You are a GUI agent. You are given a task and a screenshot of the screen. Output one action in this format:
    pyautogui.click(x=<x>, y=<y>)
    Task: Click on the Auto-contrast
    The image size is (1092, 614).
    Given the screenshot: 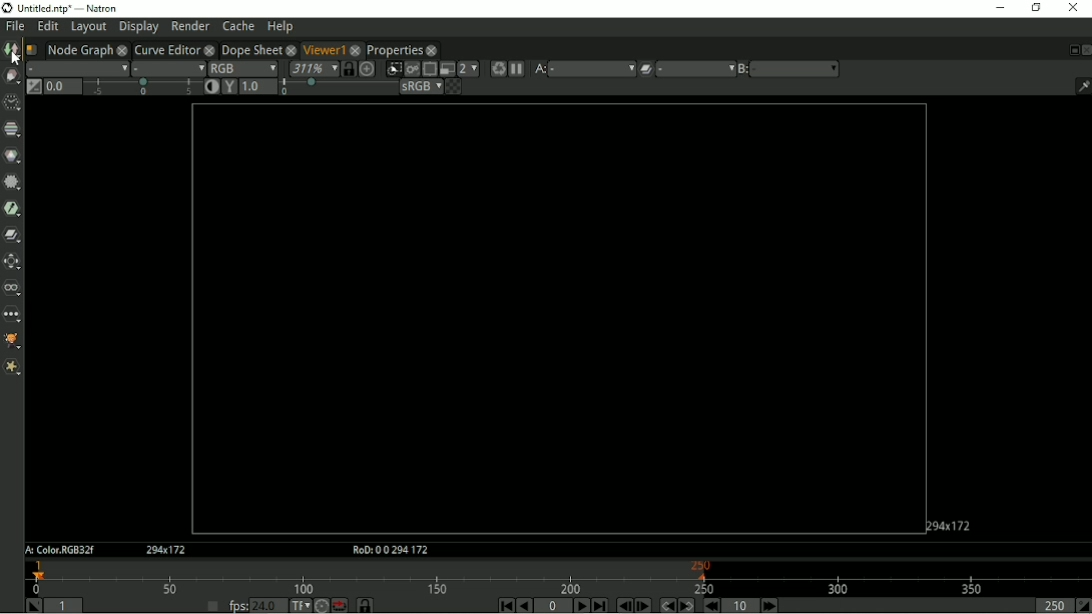 What is the action you would take?
    pyautogui.click(x=211, y=86)
    